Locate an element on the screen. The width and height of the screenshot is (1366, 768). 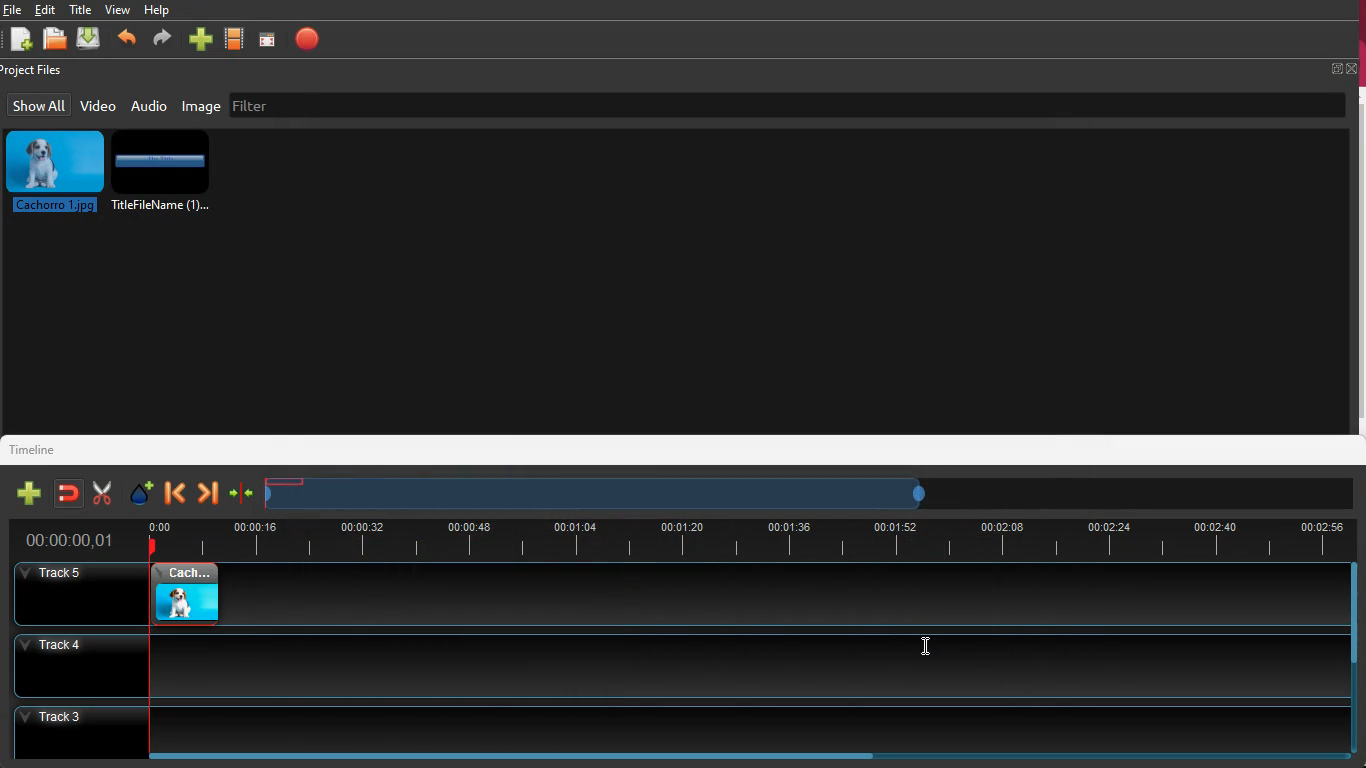
help is located at coordinates (158, 12).